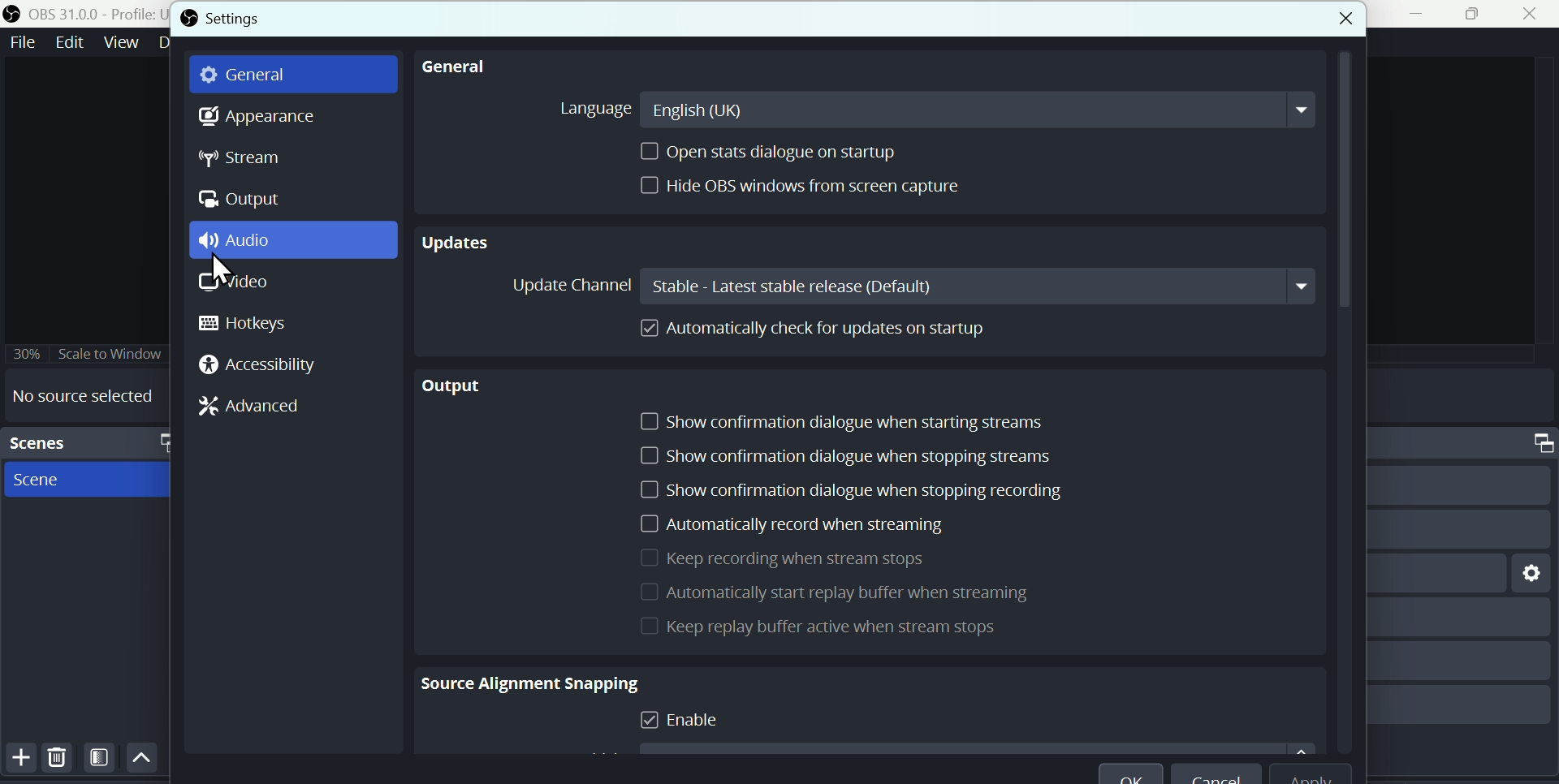  I want to click on keep Replay buffer actor when stream stops, so click(841, 627).